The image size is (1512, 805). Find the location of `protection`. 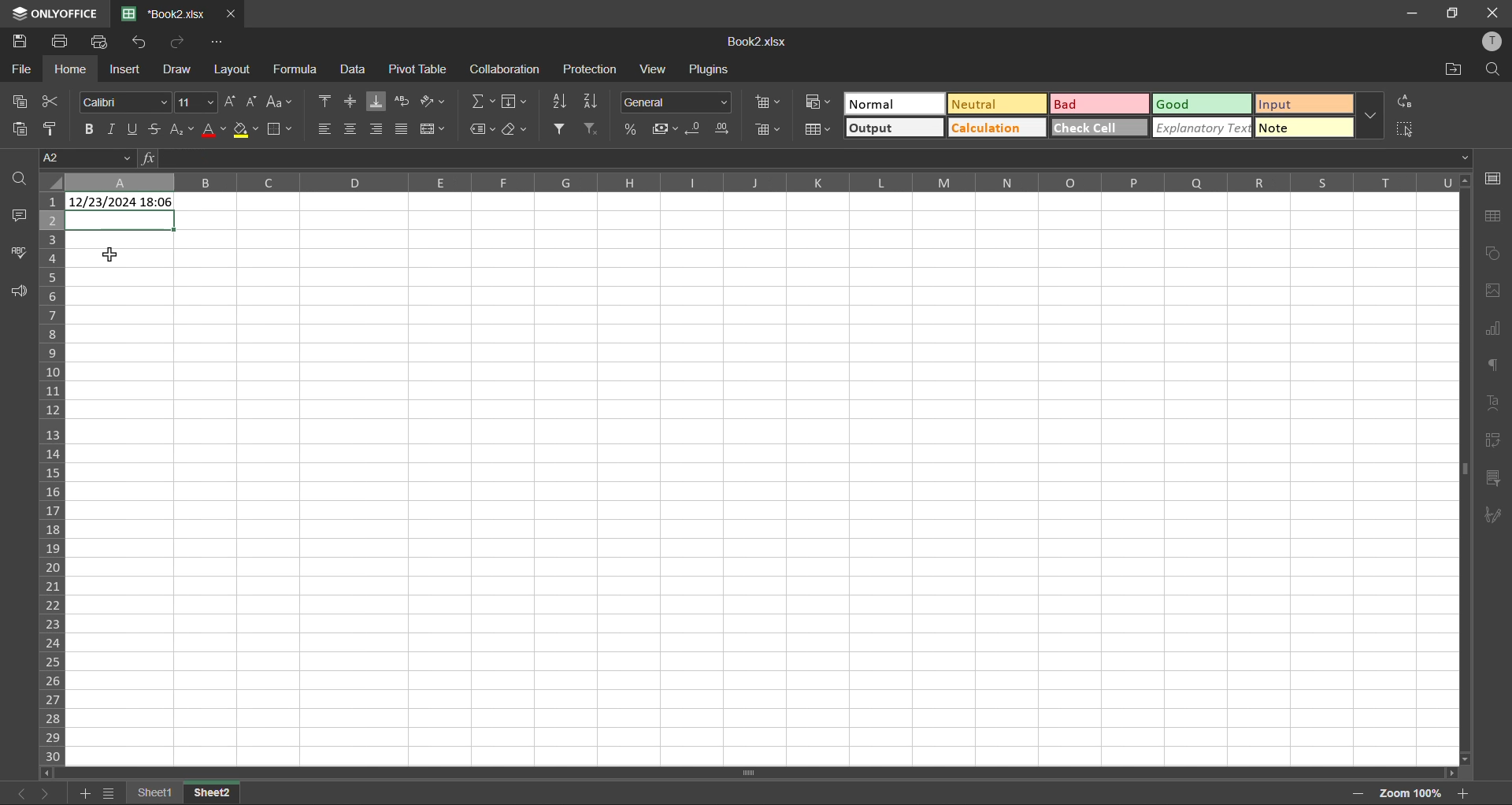

protection is located at coordinates (591, 69).